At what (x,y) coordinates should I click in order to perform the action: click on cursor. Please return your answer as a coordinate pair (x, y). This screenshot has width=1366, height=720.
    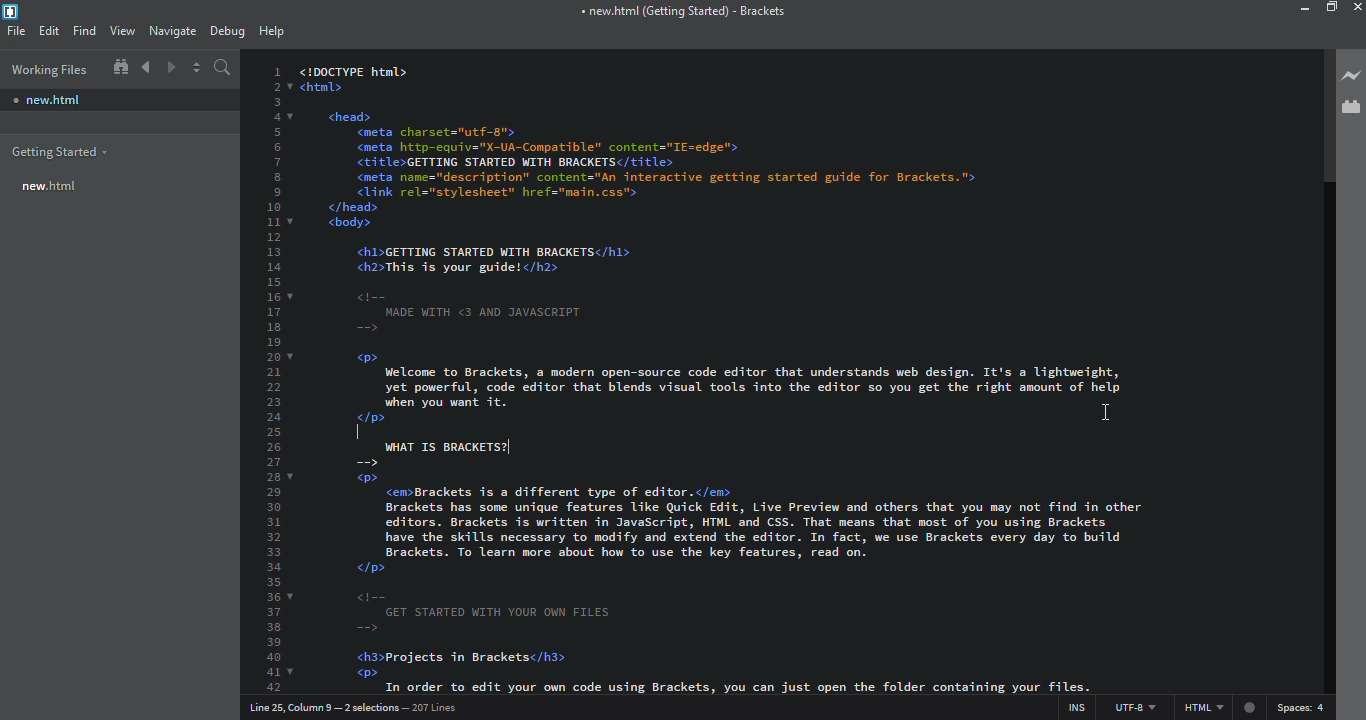
    Looking at the image, I should click on (377, 431).